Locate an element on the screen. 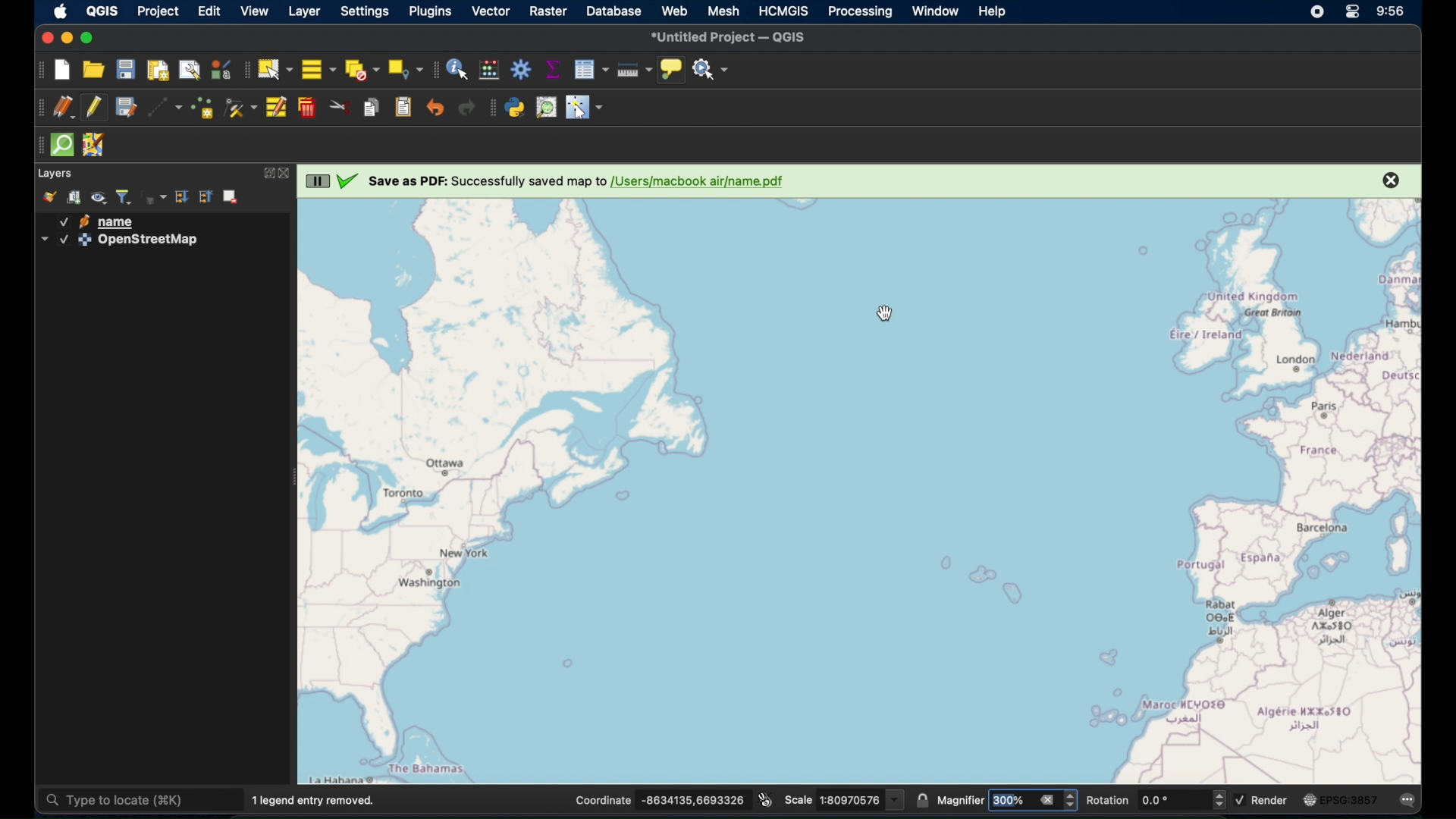  delete selected is located at coordinates (307, 108).